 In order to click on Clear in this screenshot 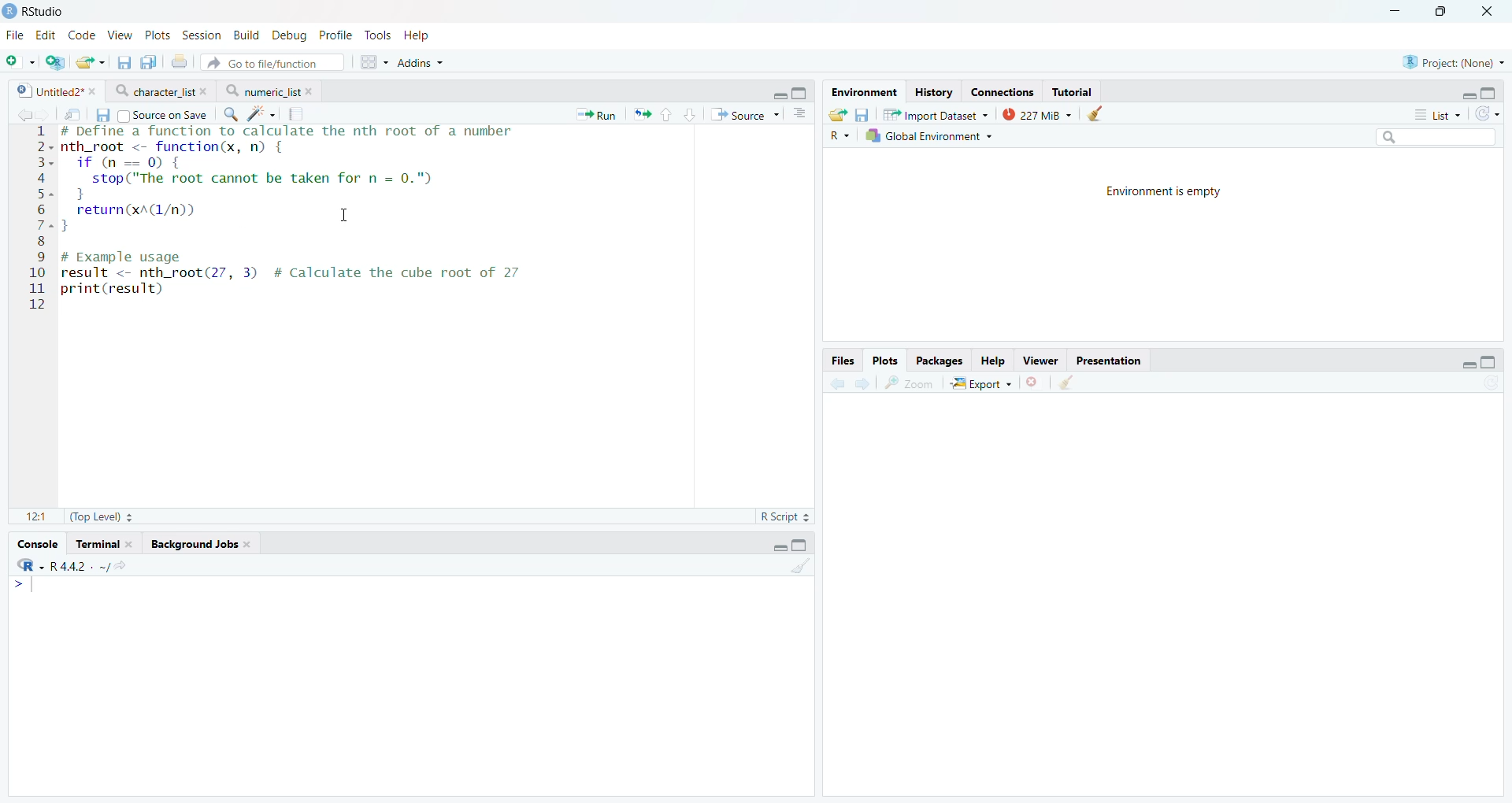, I will do `click(800, 566)`.